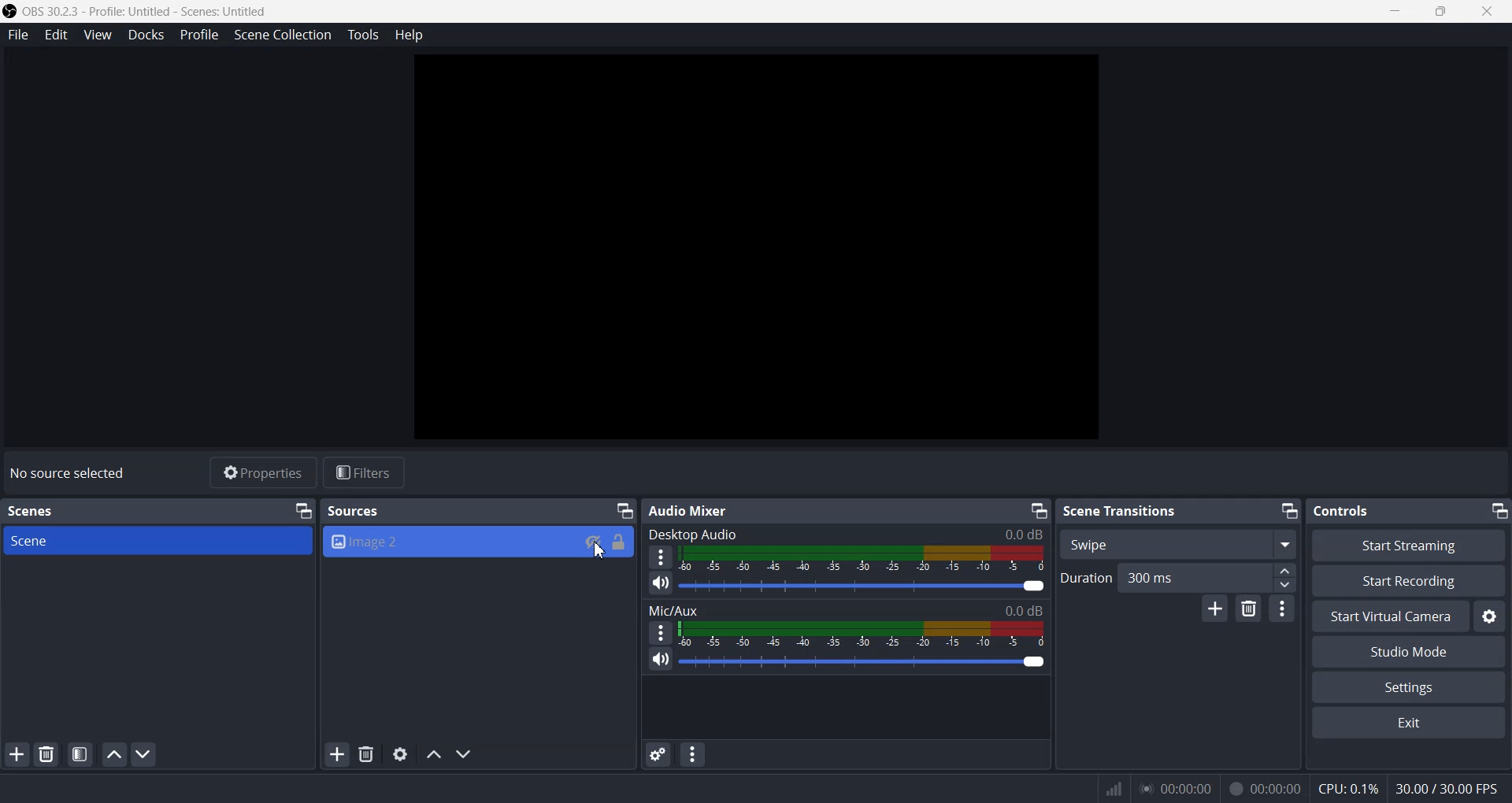 This screenshot has height=803, width=1512. I want to click on More, so click(658, 634).